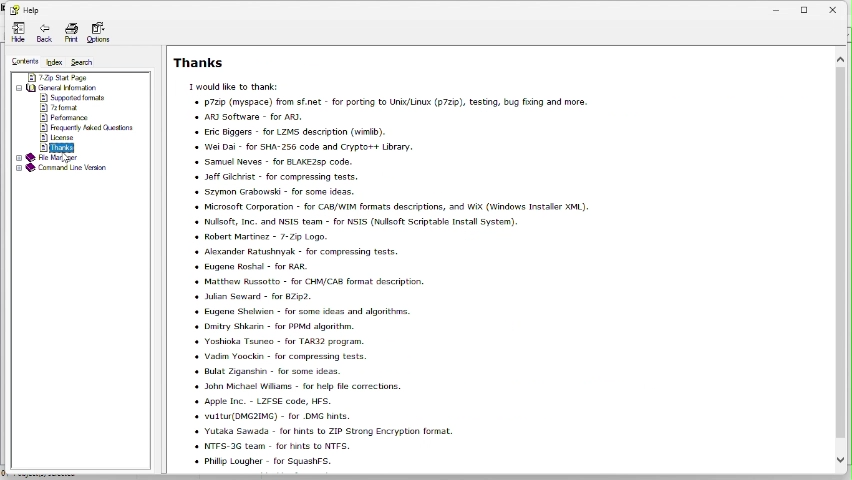 The height and width of the screenshot is (480, 852). Describe the element at coordinates (59, 138) in the screenshot. I see `Licence` at that location.